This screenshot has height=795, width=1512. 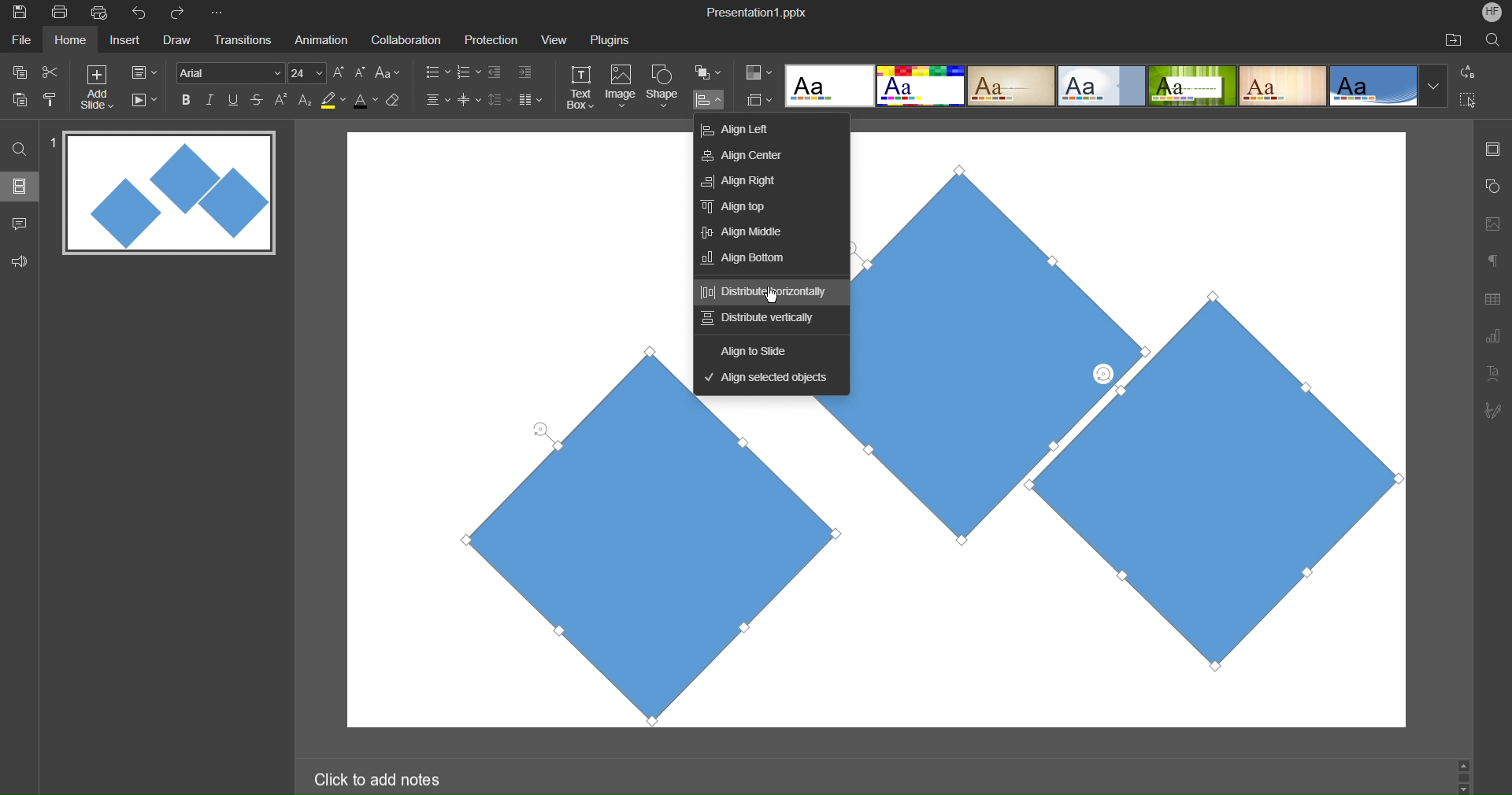 What do you see at coordinates (1491, 149) in the screenshot?
I see `Slide Settings` at bounding box center [1491, 149].